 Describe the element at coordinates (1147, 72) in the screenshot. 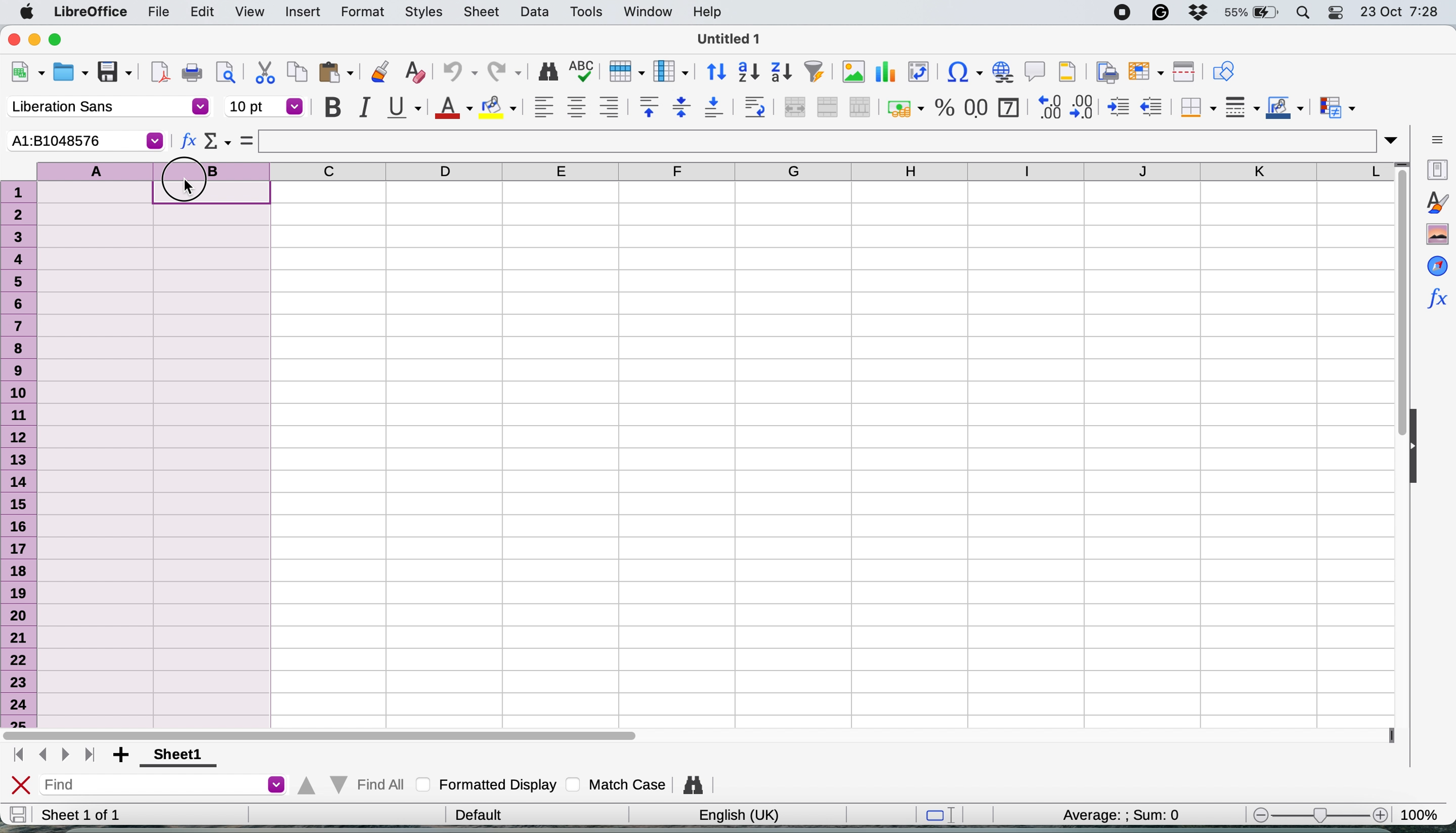

I see `freeze rows and columnbs` at that location.